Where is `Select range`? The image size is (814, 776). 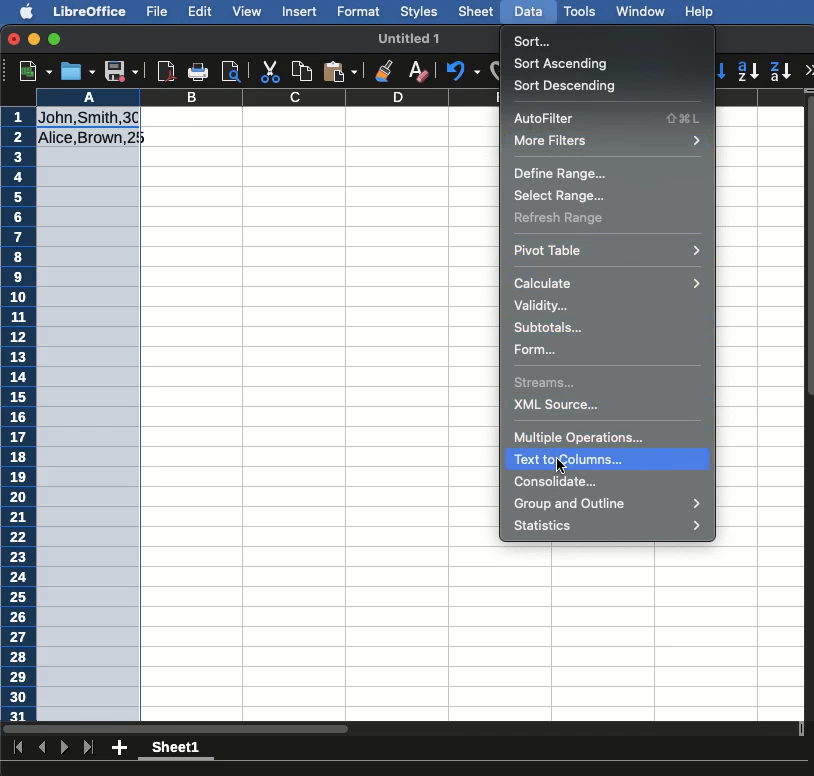
Select range is located at coordinates (558, 195).